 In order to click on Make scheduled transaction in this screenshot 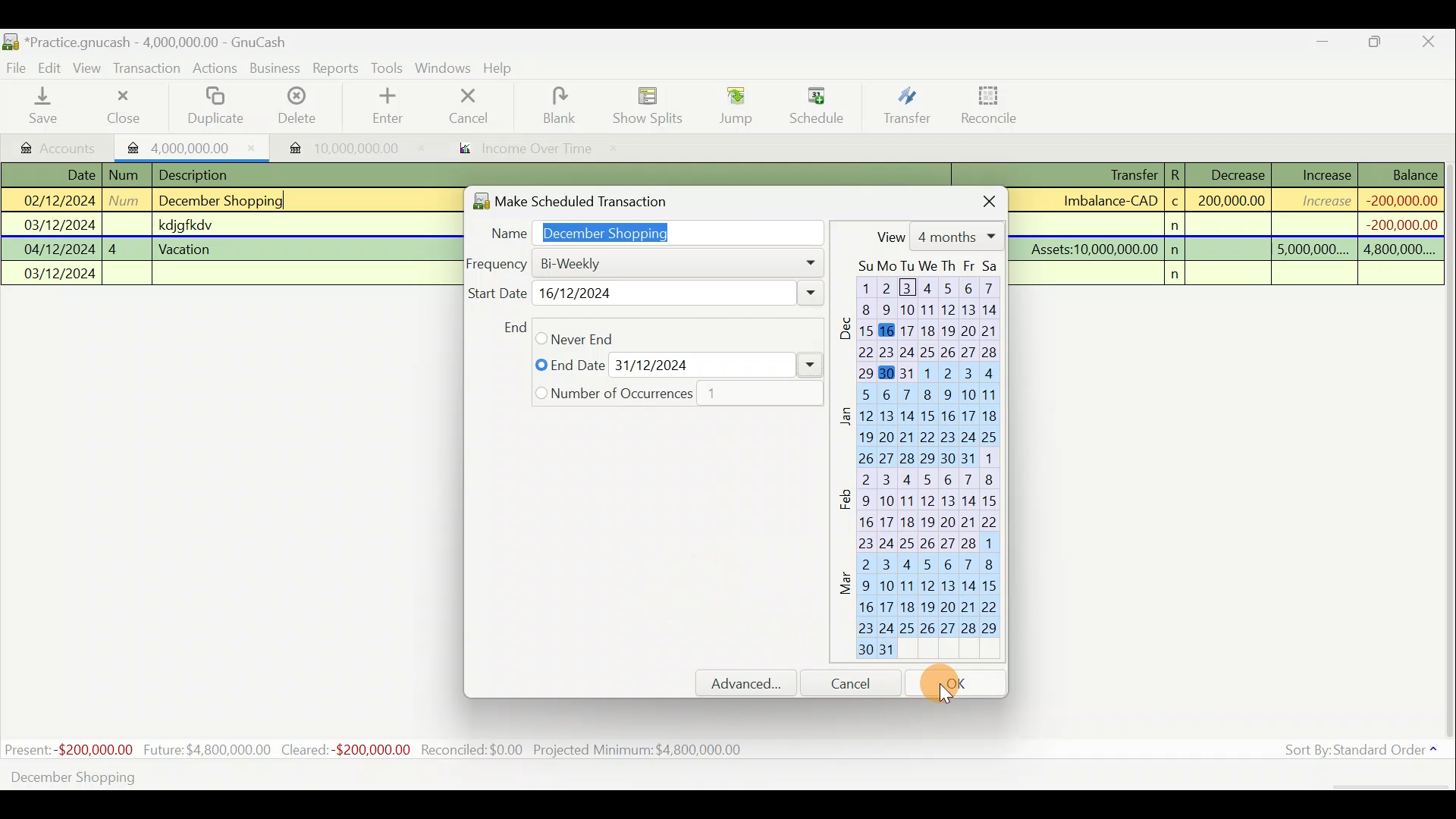, I will do `click(595, 198)`.